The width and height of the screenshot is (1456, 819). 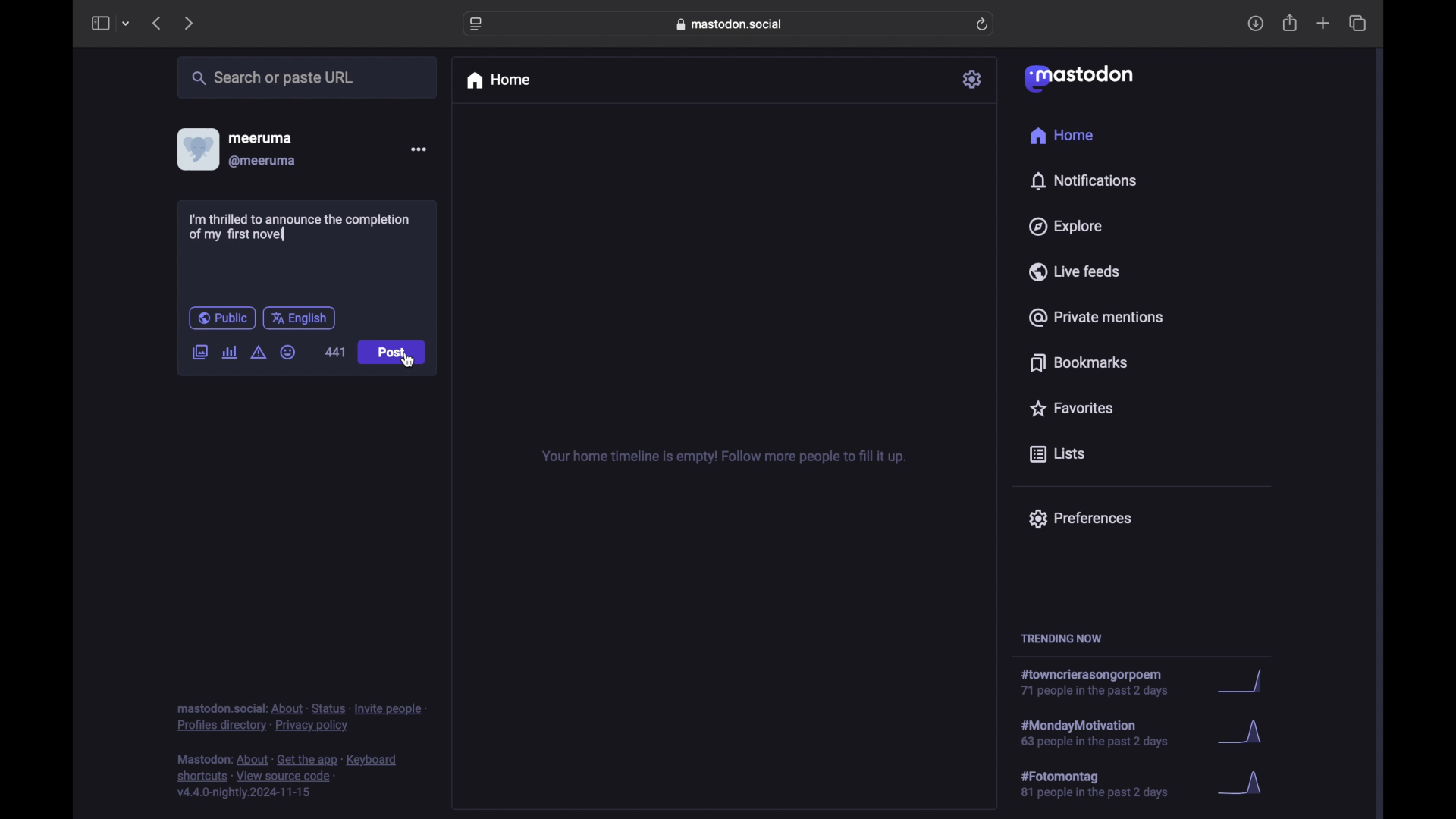 I want to click on private mentions, so click(x=1095, y=317).